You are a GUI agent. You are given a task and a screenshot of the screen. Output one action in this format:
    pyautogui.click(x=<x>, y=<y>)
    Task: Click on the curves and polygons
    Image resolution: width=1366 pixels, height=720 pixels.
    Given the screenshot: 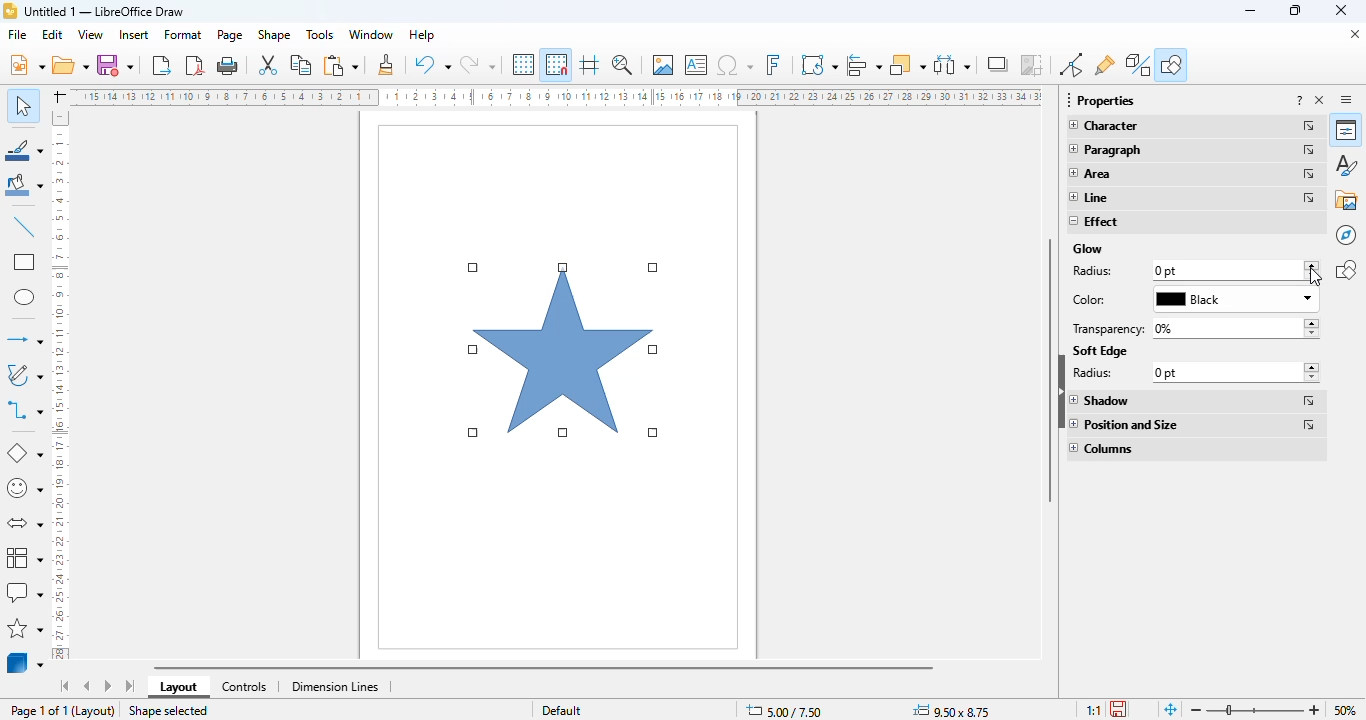 What is the action you would take?
    pyautogui.click(x=23, y=376)
    